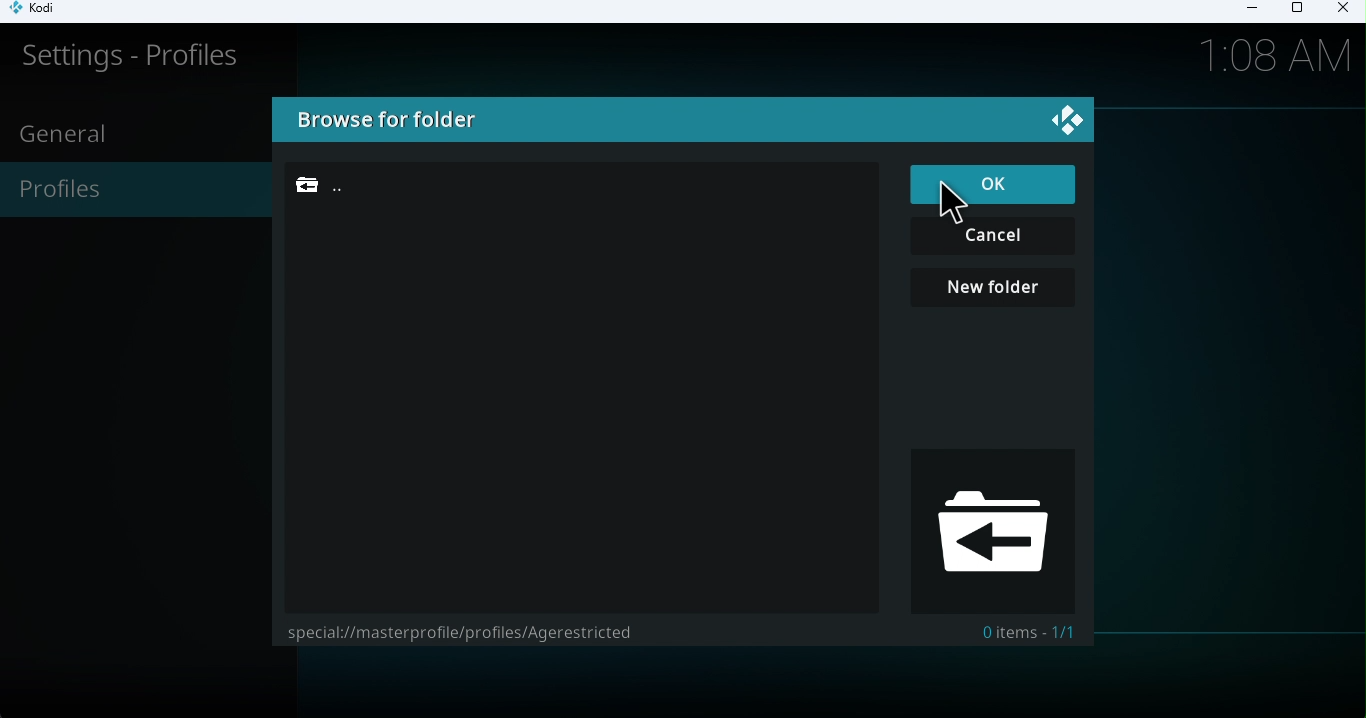 The height and width of the screenshot is (718, 1366). Describe the element at coordinates (1245, 11) in the screenshot. I see `Minimize` at that location.